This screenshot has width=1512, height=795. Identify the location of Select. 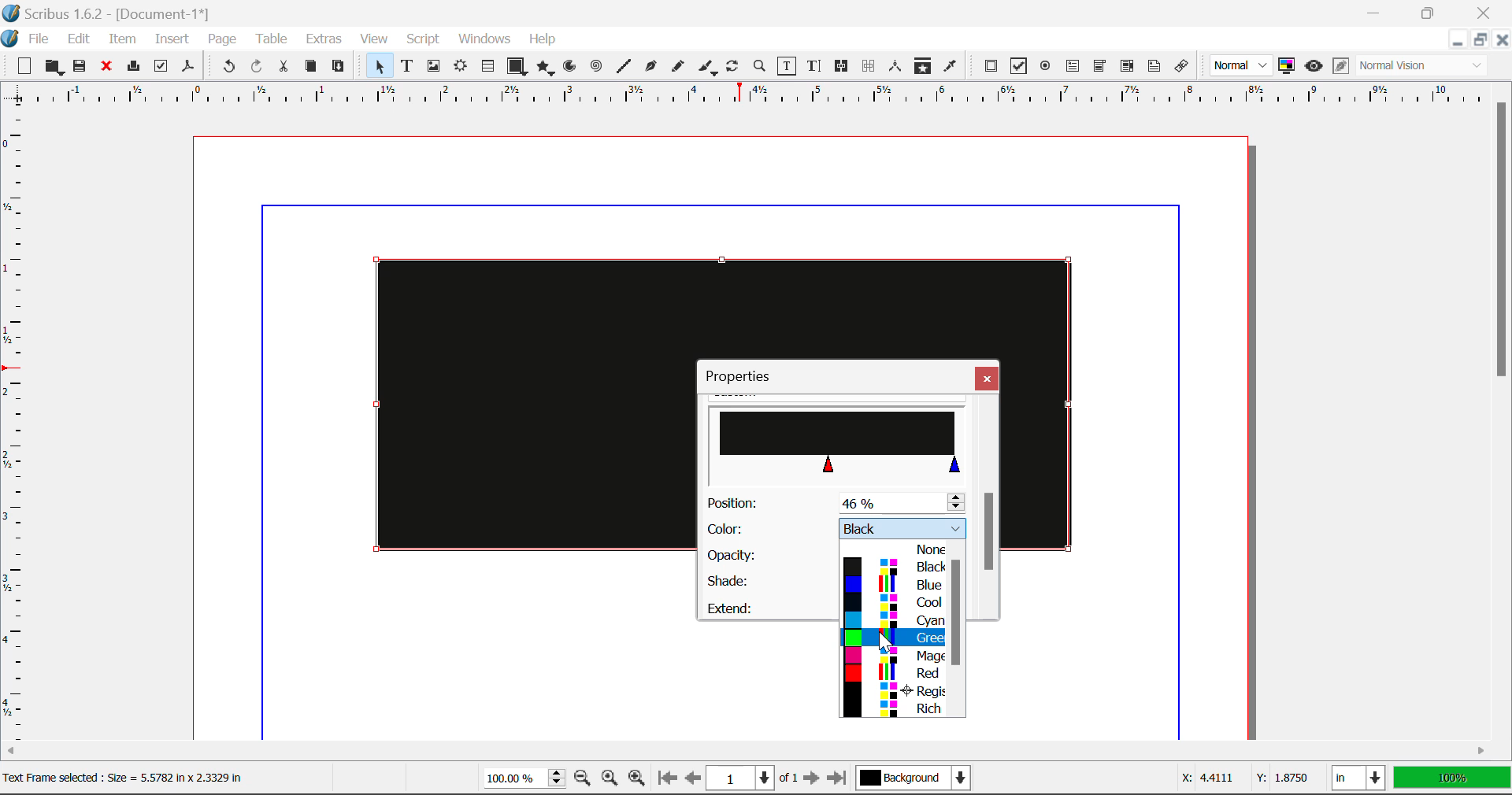
(378, 66).